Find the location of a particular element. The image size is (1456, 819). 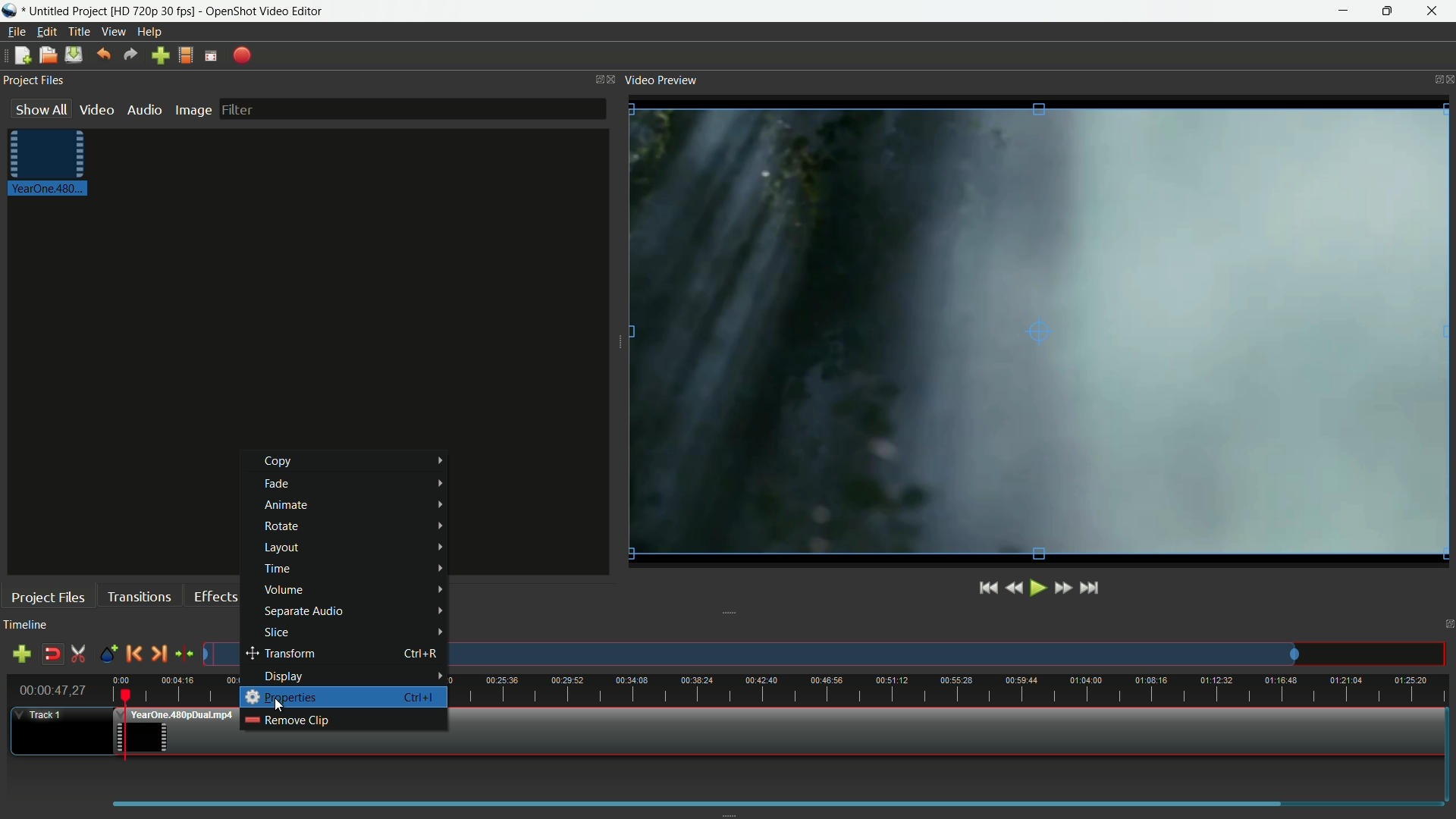

app name is located at coordinates (265, 11).